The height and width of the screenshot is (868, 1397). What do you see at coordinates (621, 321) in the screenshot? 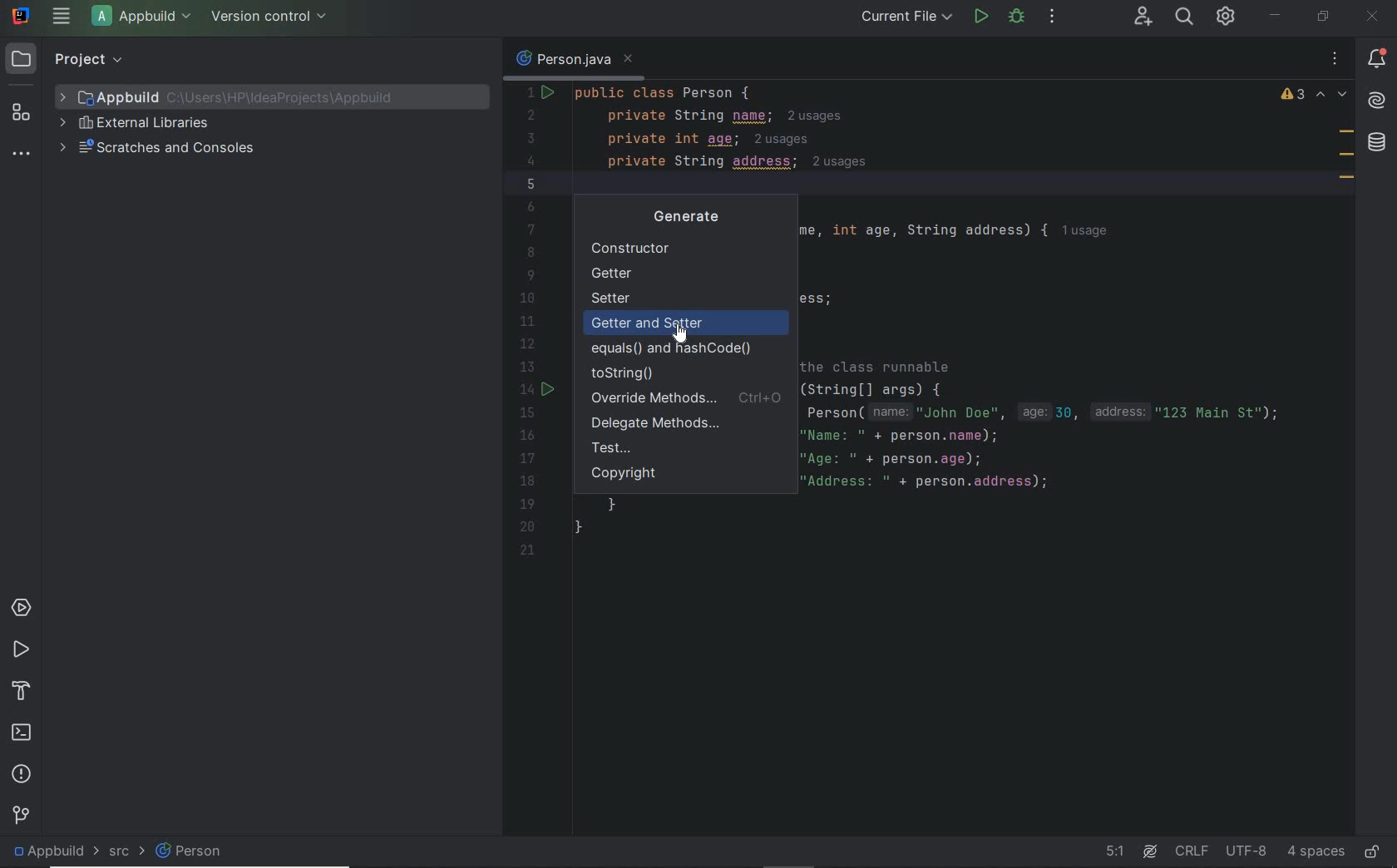
I see `Getter and Setter` at bounding box center [621, 321].